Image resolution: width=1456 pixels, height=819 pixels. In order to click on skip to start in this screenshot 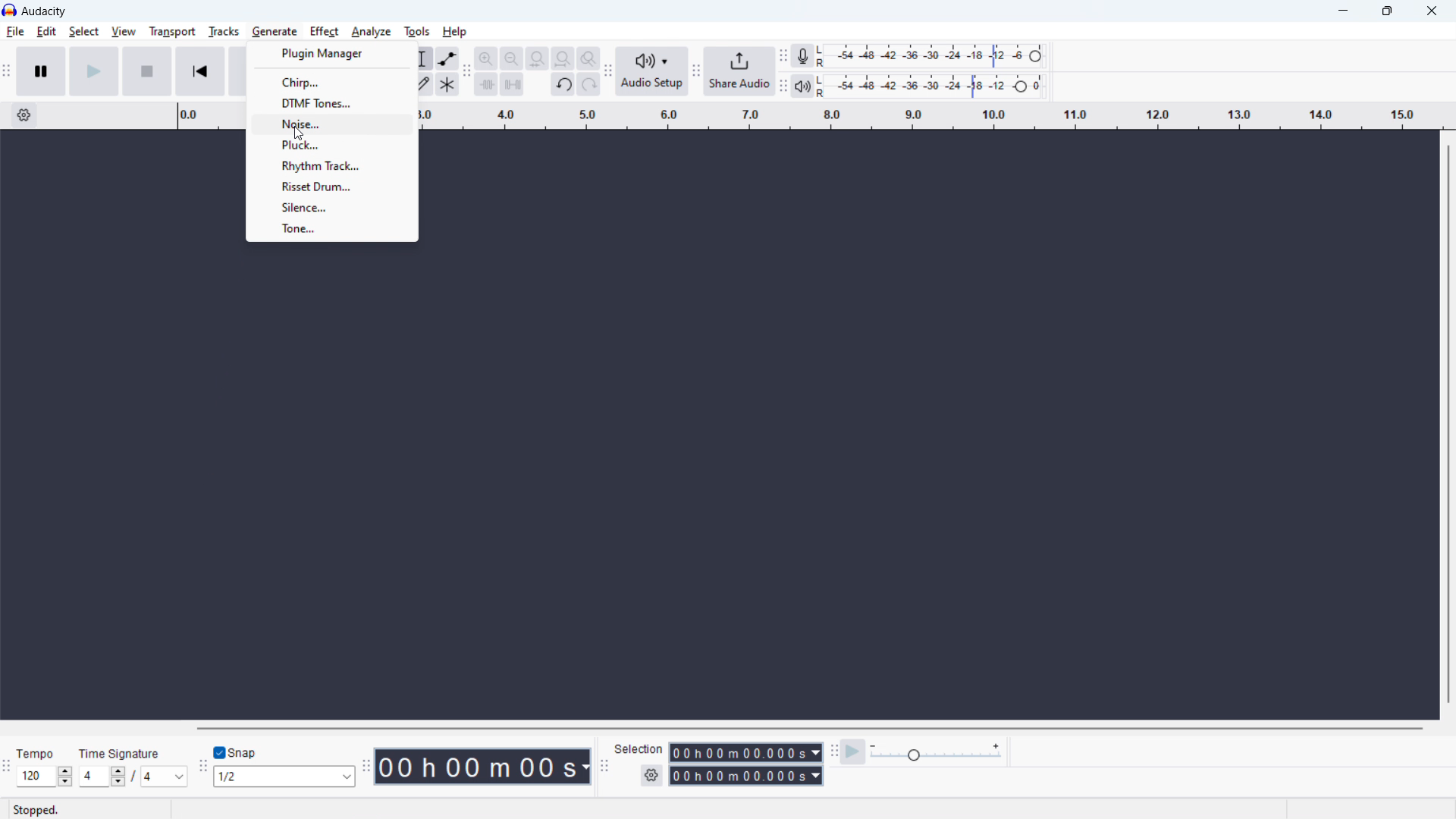, I will do `click(200, 71)`.